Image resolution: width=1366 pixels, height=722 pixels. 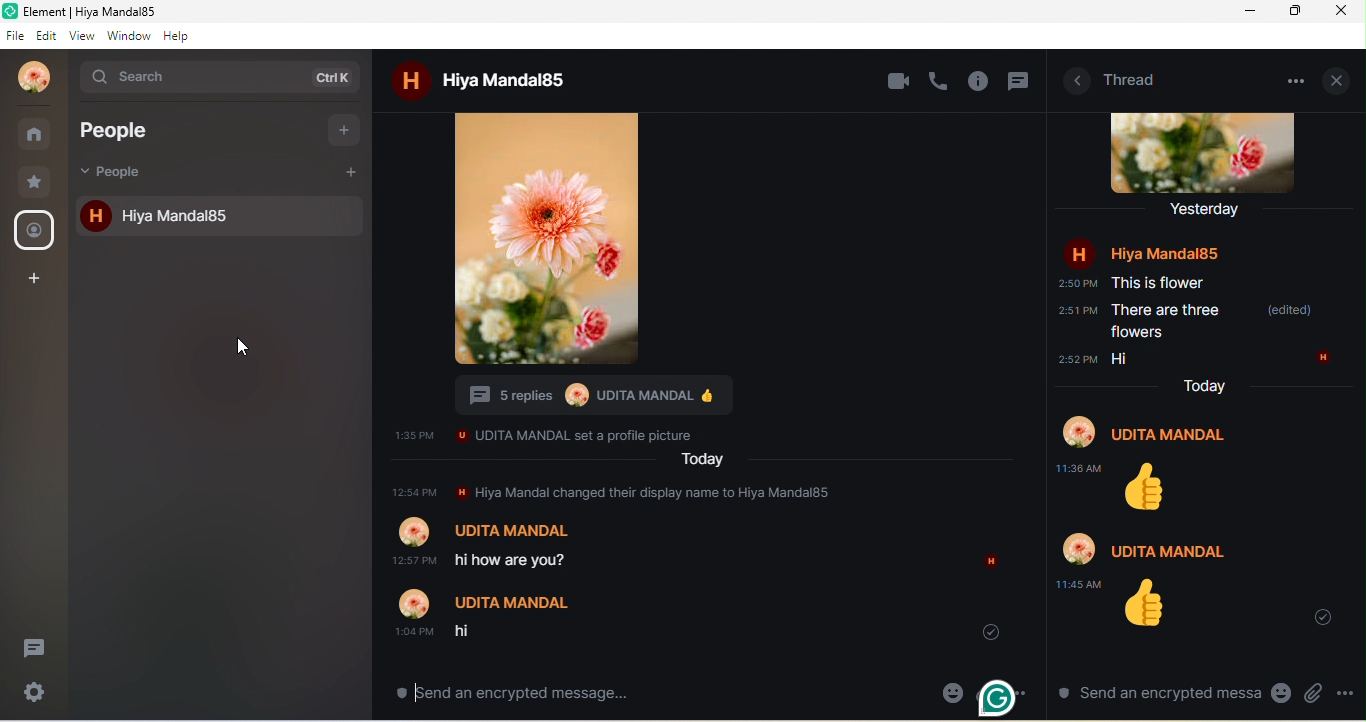 What do you see at coordinates (1145, 606) in the screenshot?
I see `Thumbs up emoji` at bounding box center [1145, 606].